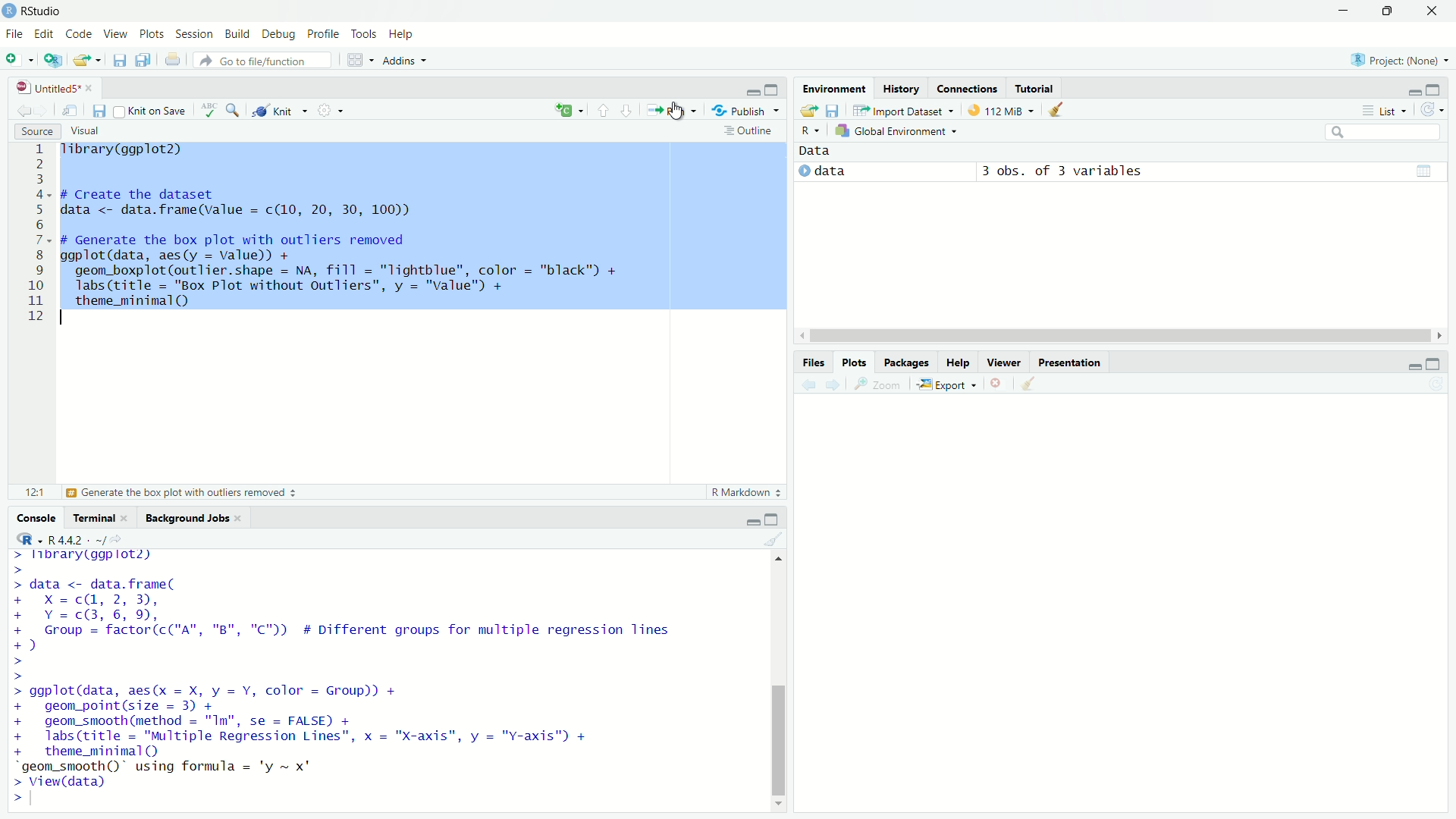 This screenshot has width=1456, height=819. I want to click on Console, so click(36, 519).